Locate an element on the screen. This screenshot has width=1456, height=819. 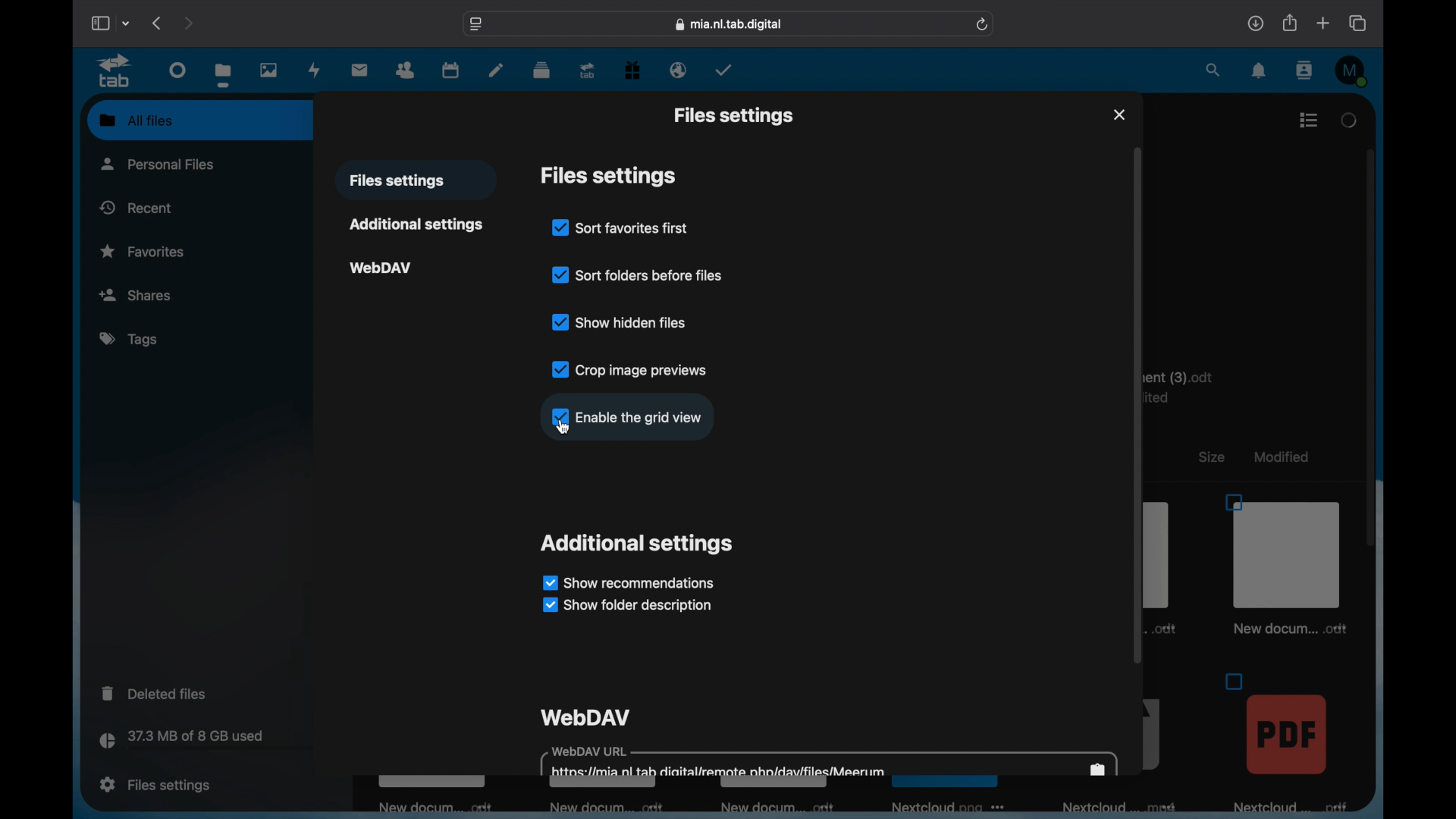
files settings is located at coordinates (155, 785).